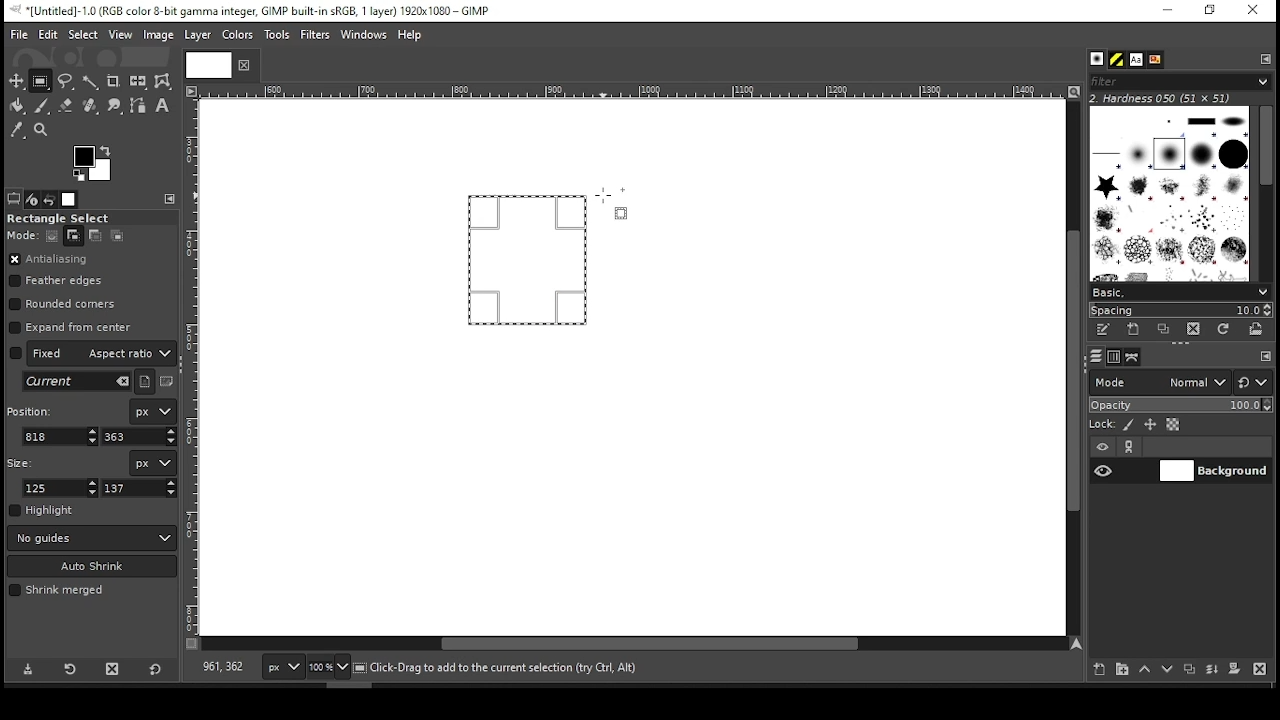 The height and width of the screenshot is (720, 1280). Describe the element at coordinates (65, 304) in the screenshot. I see `rounded corners` at that location.